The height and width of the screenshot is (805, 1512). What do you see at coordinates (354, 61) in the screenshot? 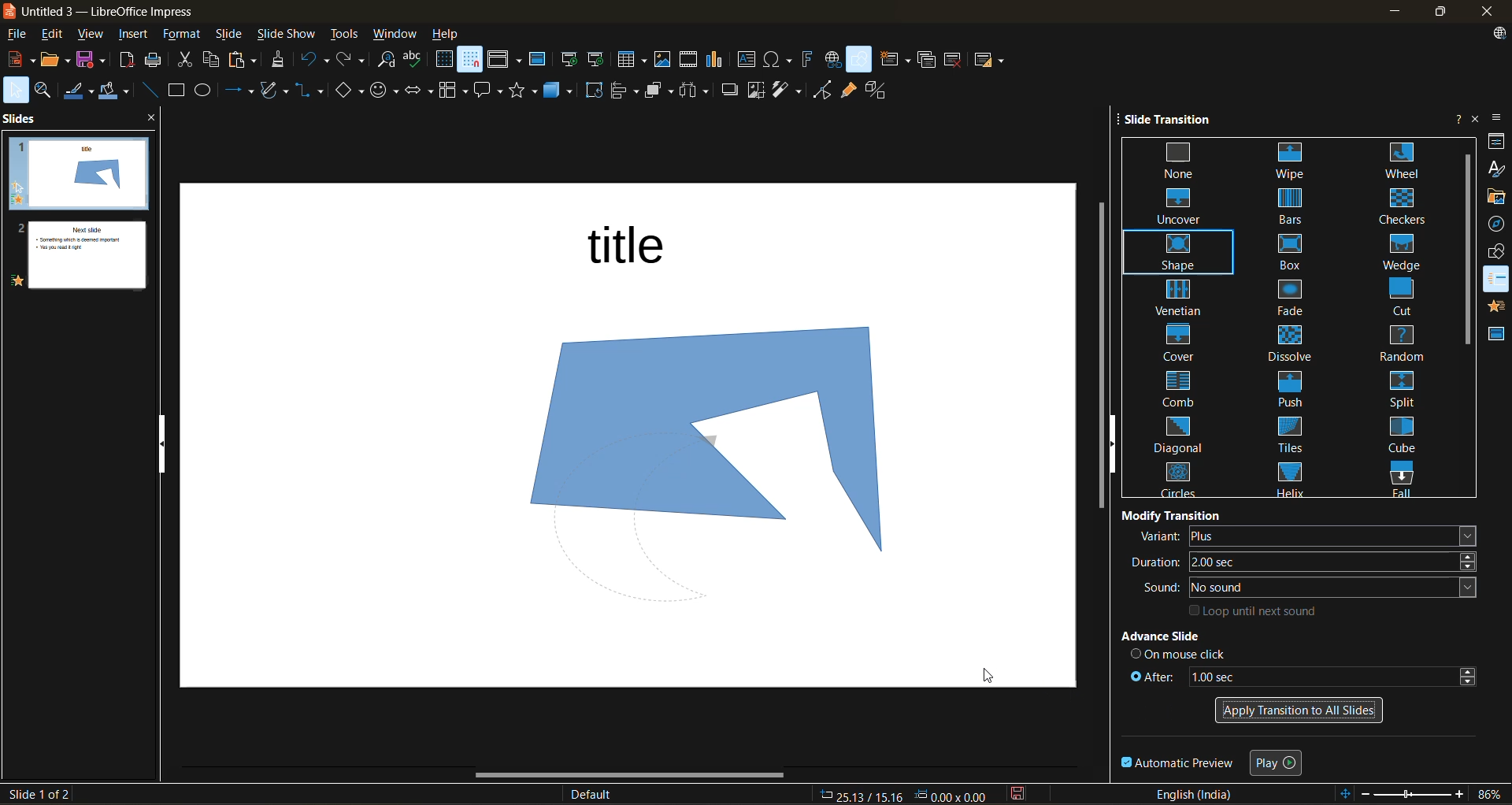
I see `redo` at bounding box center [354, 61].